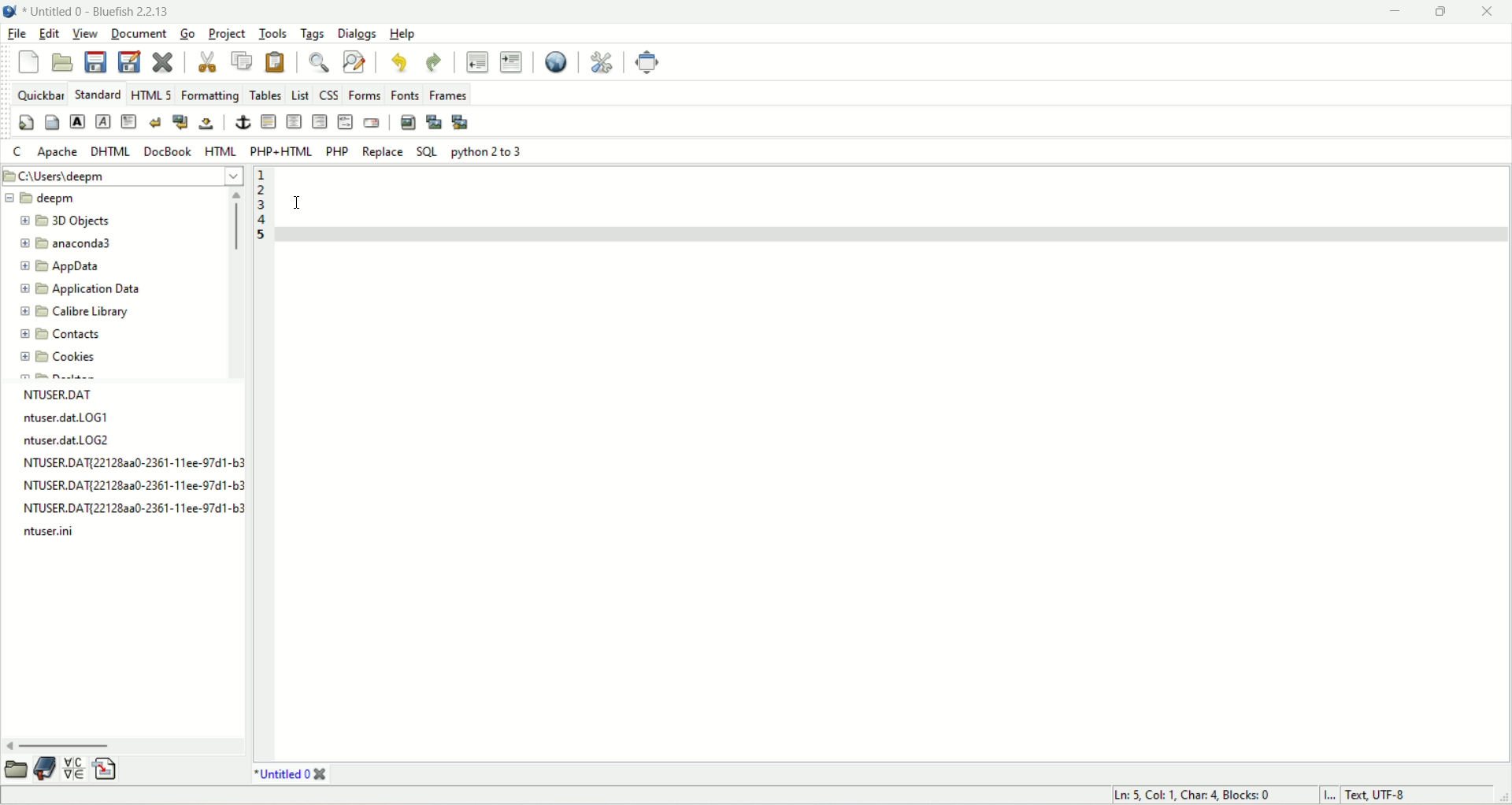  I want to click on file name, so click(61, 531).